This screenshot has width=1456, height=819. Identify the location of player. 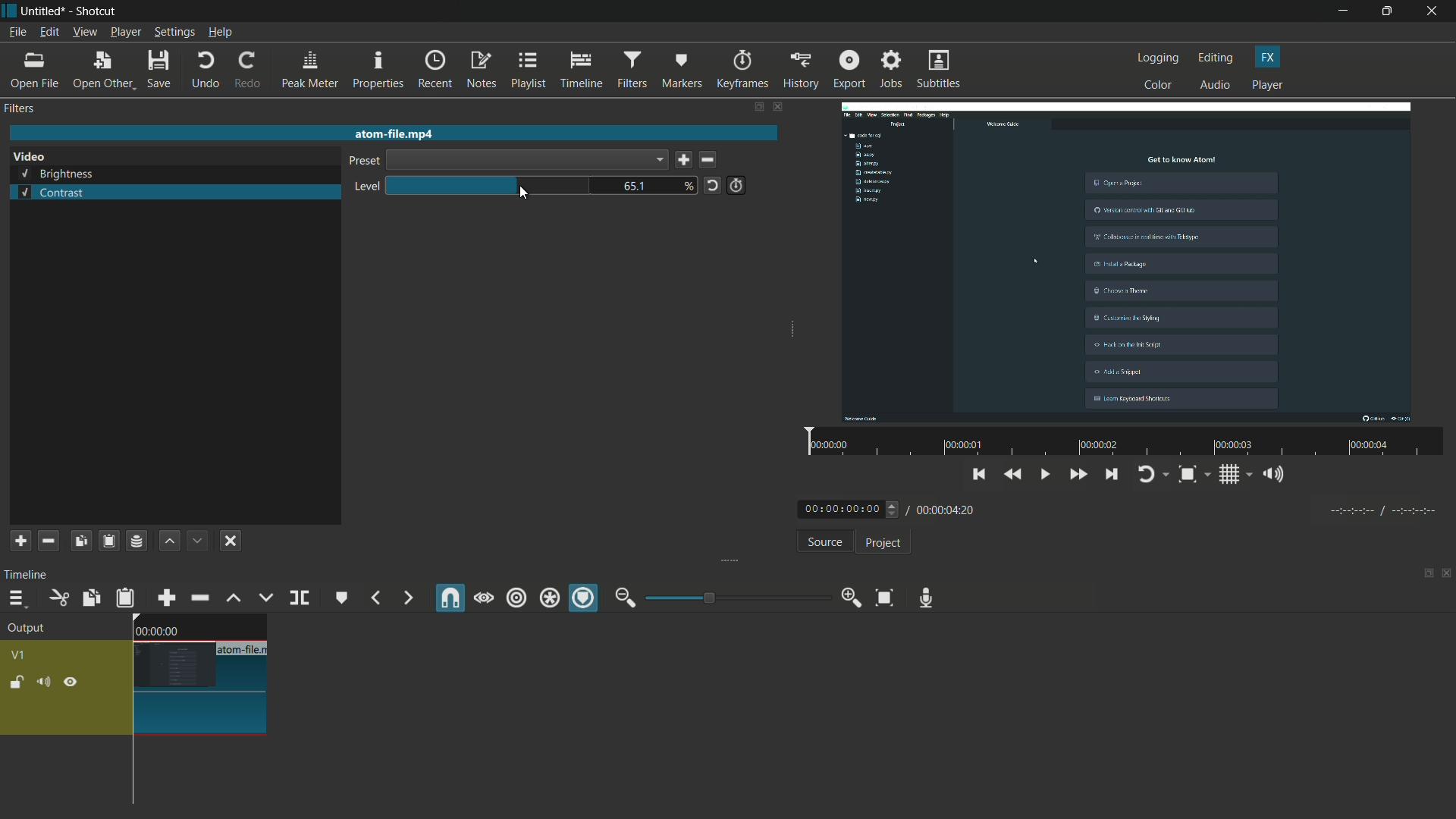
(1267, 86).